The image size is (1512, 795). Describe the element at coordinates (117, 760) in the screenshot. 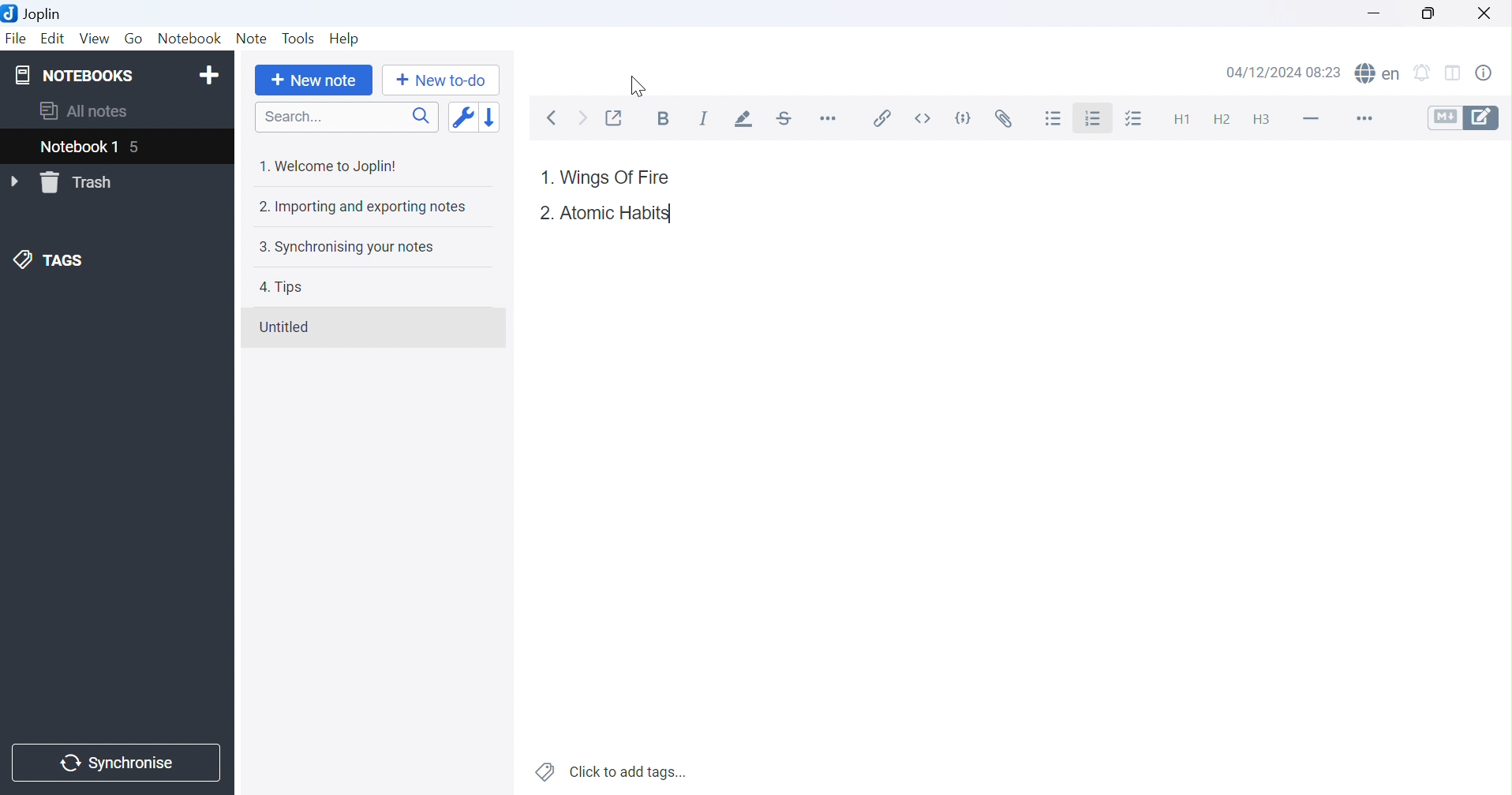

I see `Synchronise` at that location.